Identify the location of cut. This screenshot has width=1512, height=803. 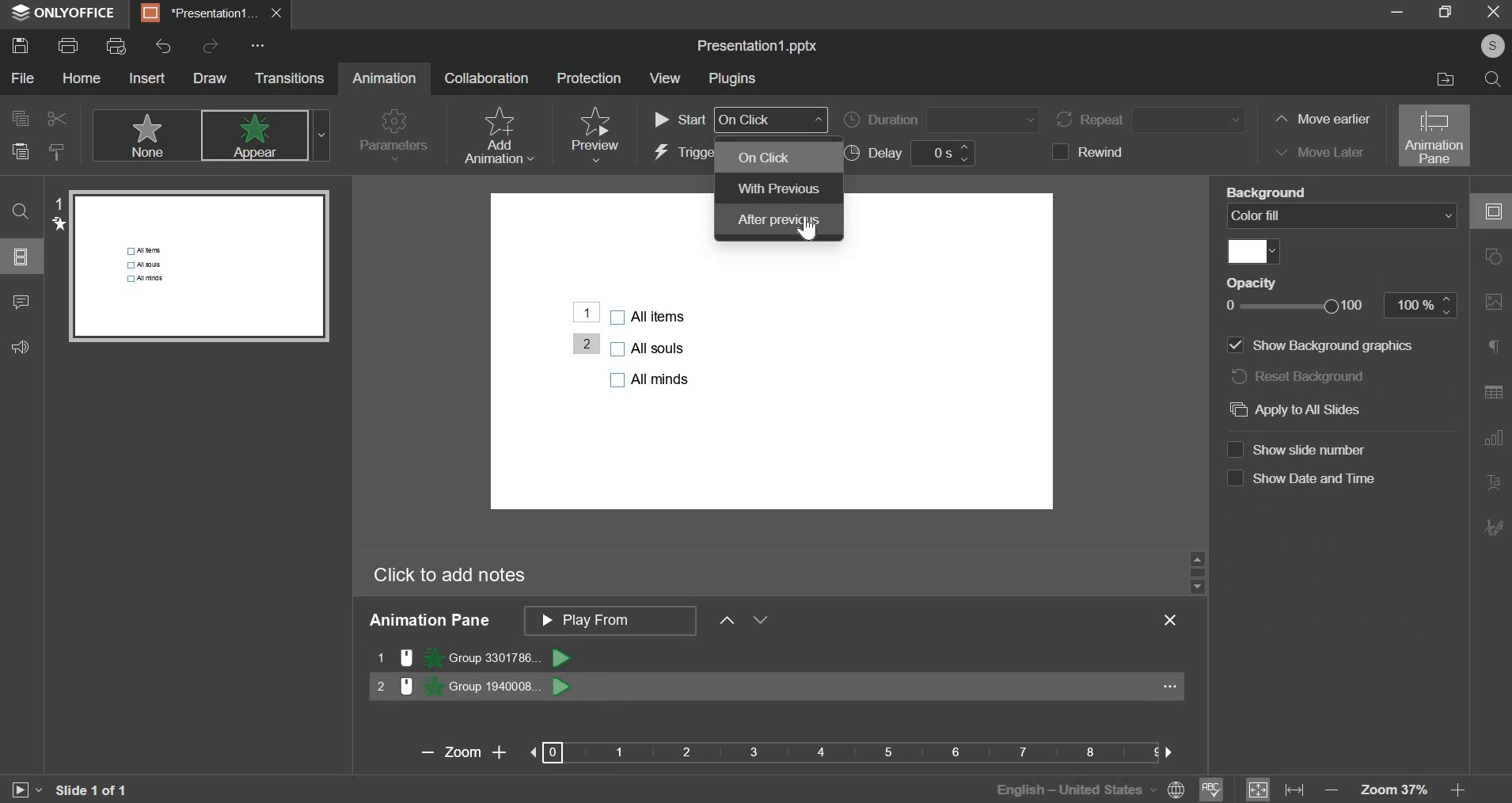
(54, 118).